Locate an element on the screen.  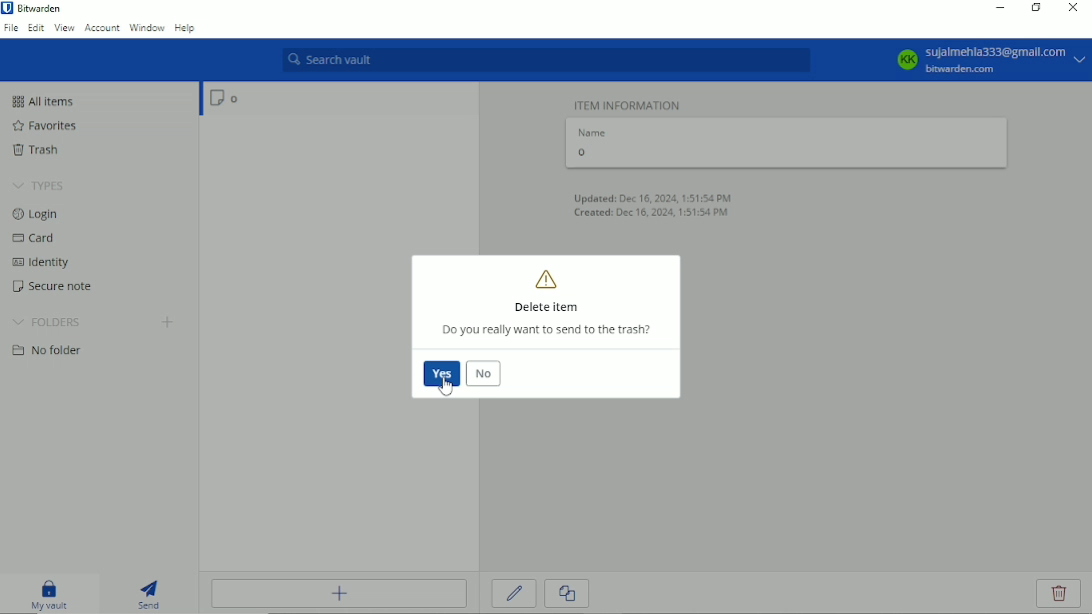
Yes is located at coordinates (442, 373).